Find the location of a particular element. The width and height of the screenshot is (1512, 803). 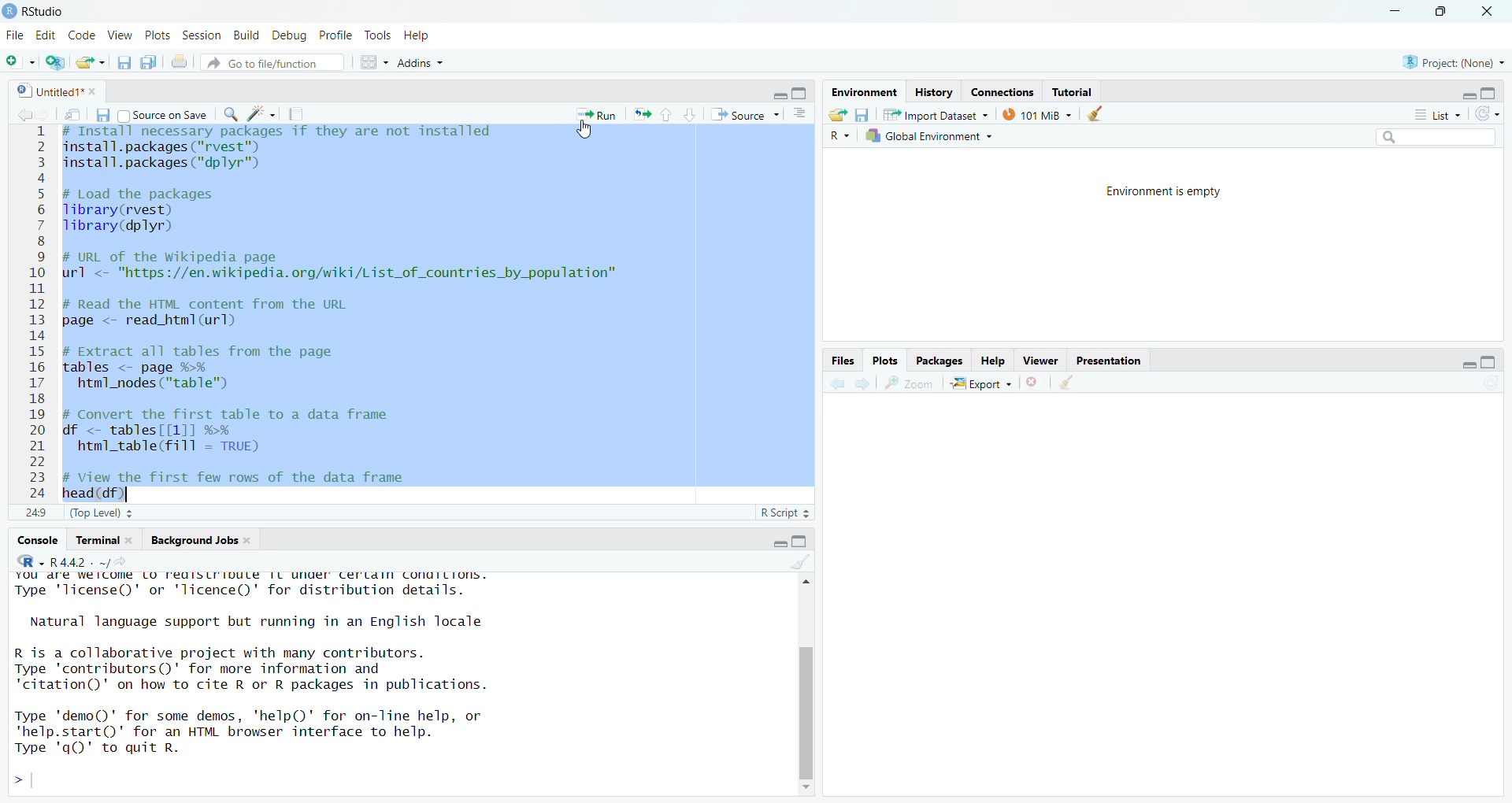

new file is located at coordinates (20, 61).